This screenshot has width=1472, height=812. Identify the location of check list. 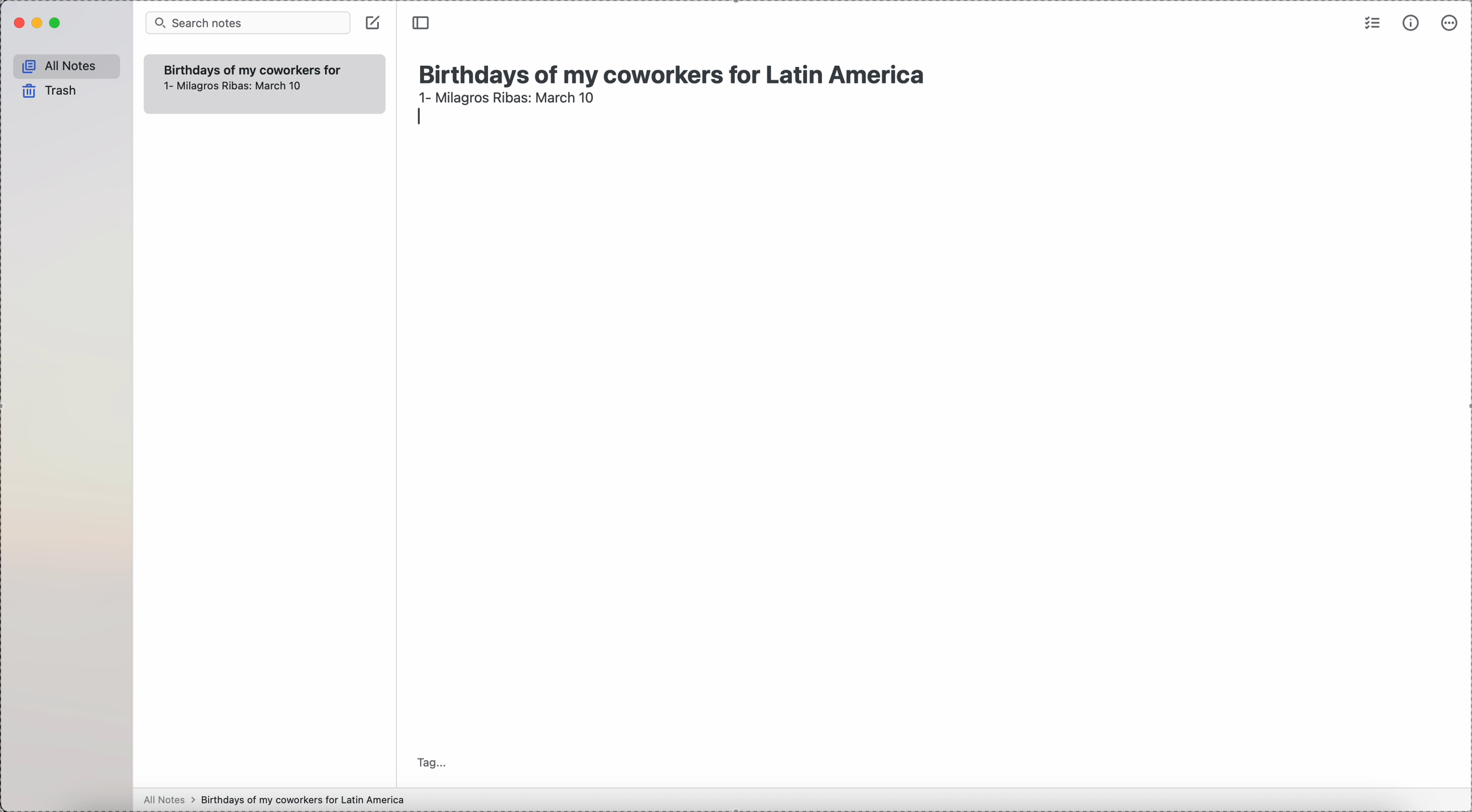
(1371, 22).